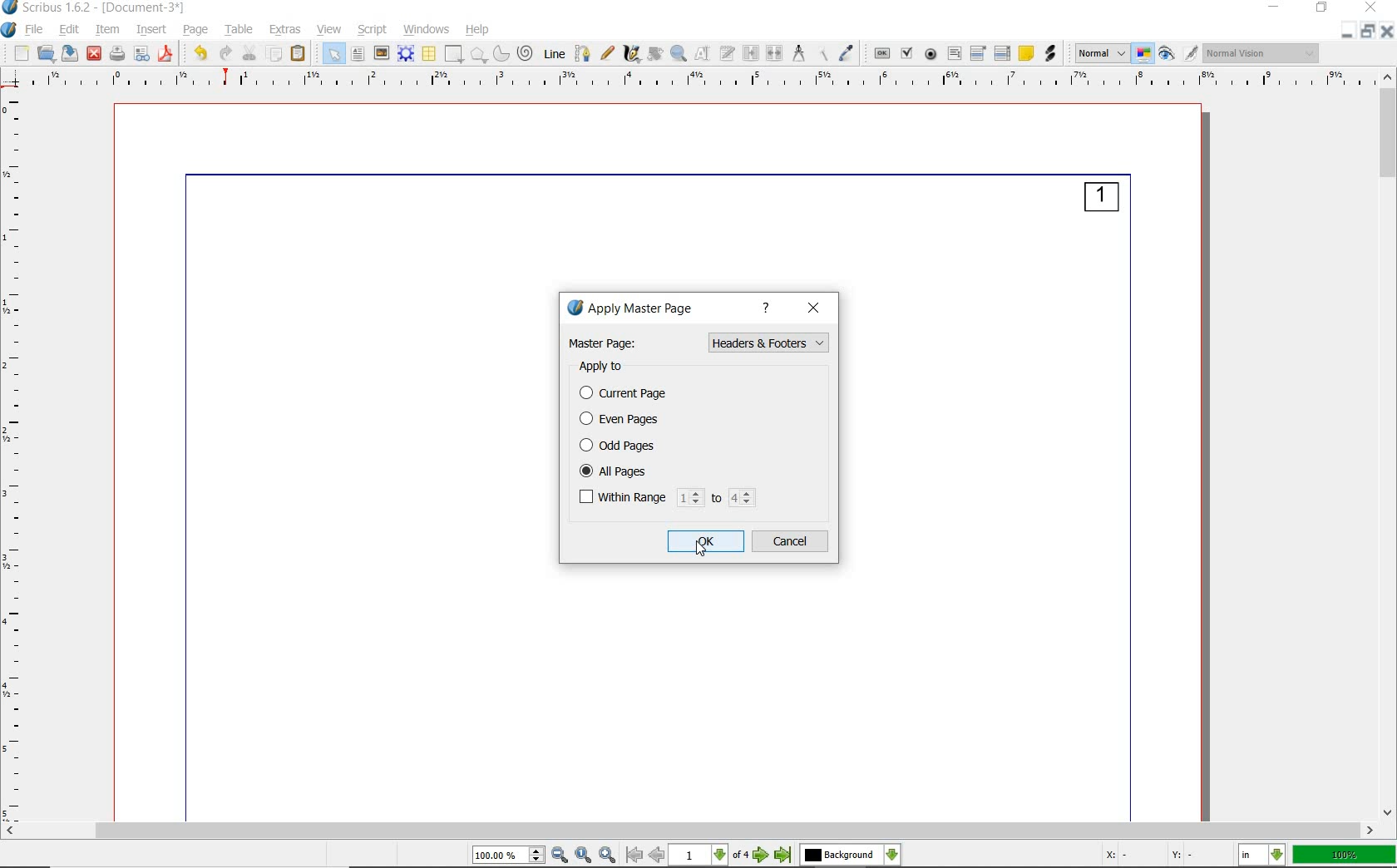  What do you see at coordinates (1263, 52) in the screenshot?
I see `visual appearance of the display` at bounding box center [1263, 52].